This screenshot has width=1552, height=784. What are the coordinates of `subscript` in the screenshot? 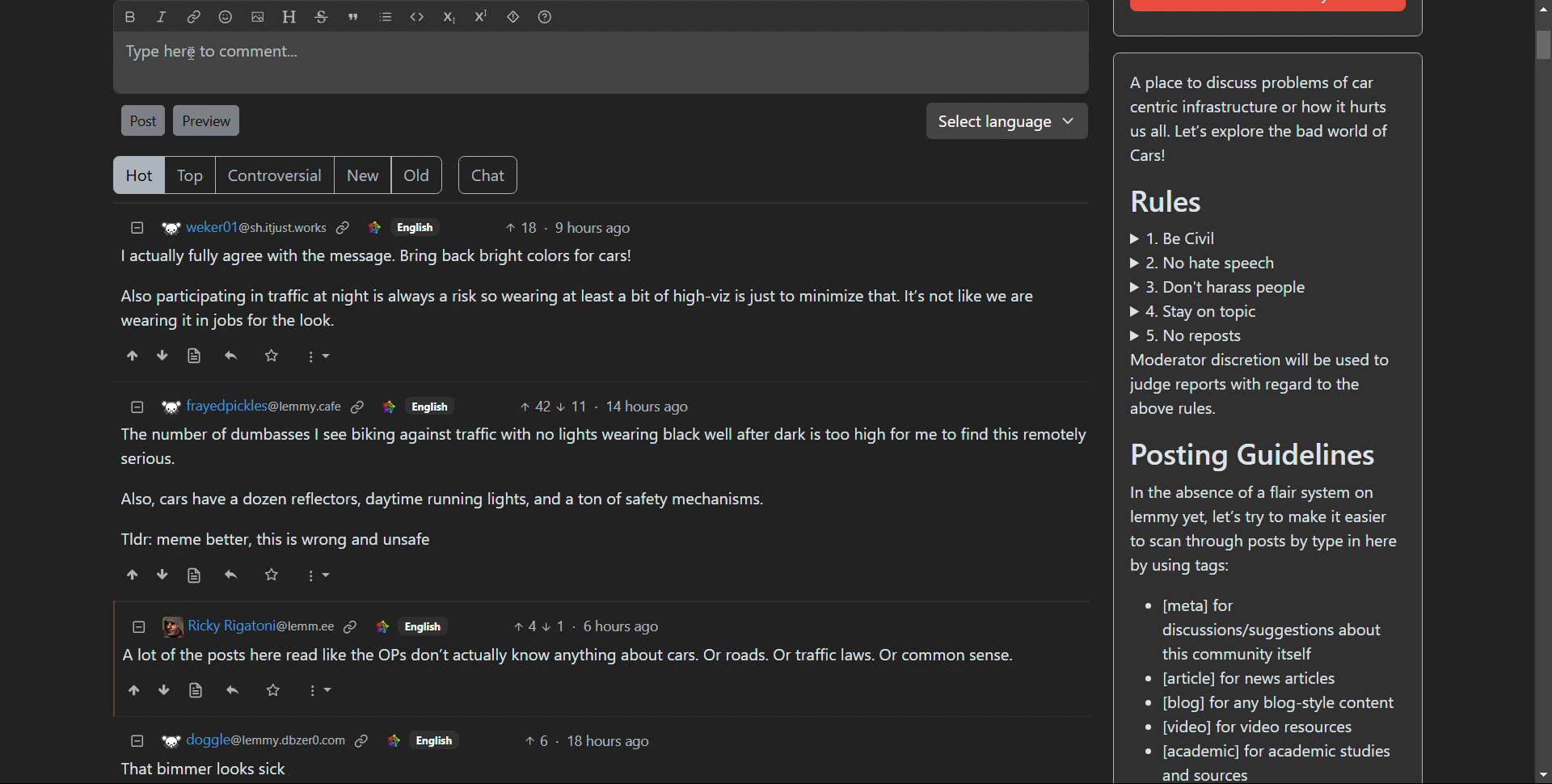 It's located at (449, 17).